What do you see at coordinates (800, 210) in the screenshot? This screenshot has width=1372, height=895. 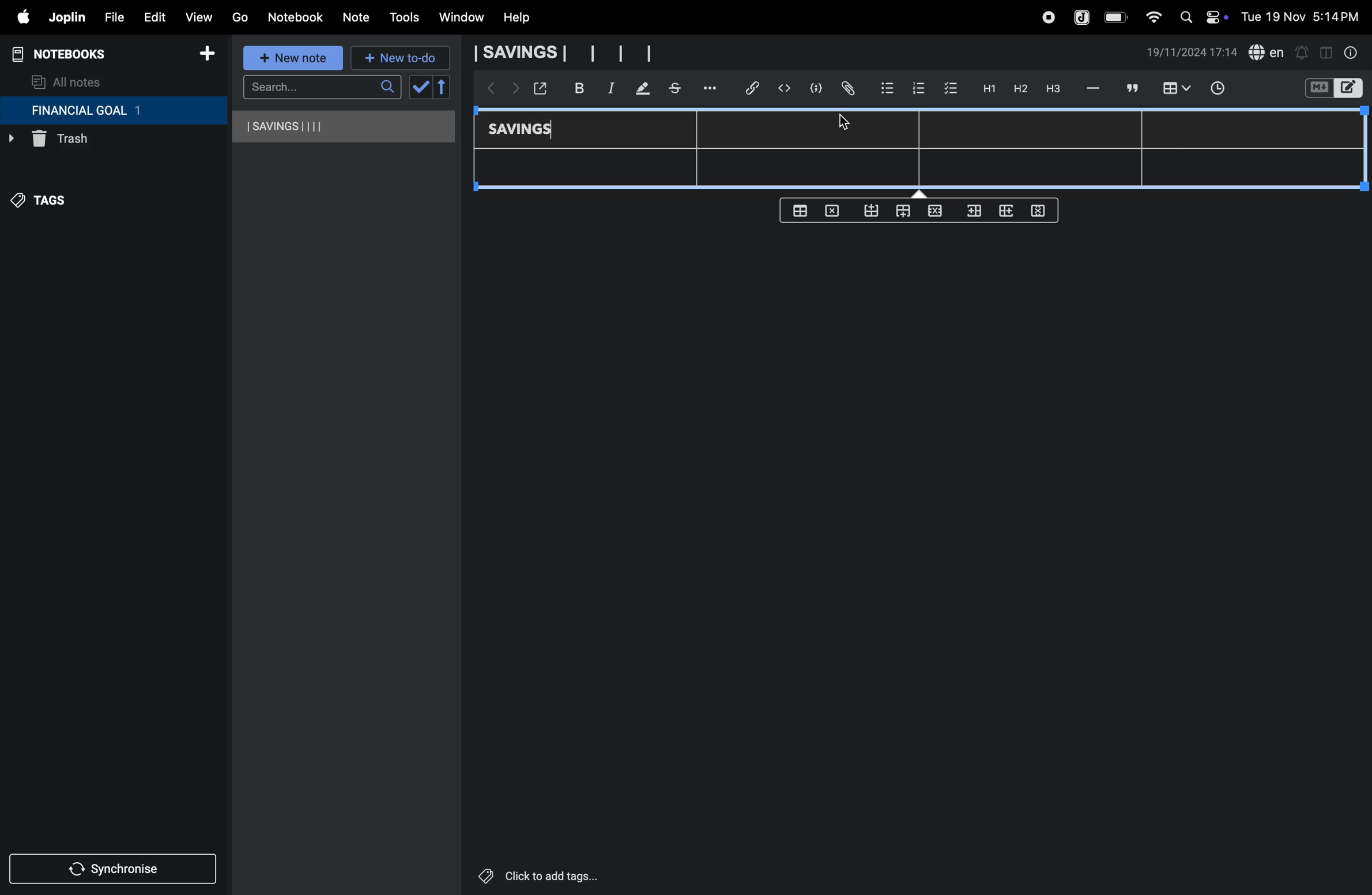 I see `create table` at bounding box center [800, 210].